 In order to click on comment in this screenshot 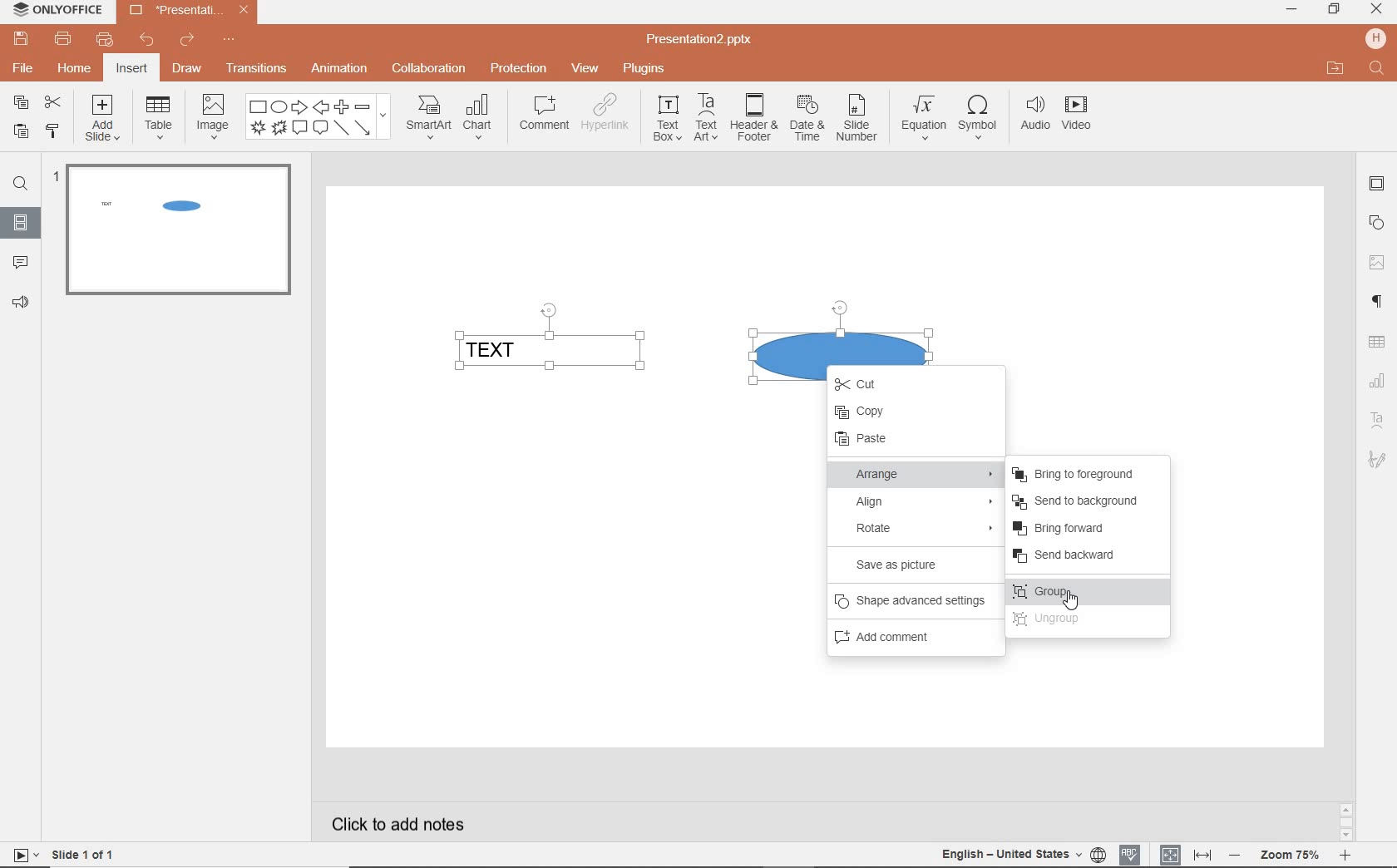, I will do `click(545, 113)`.